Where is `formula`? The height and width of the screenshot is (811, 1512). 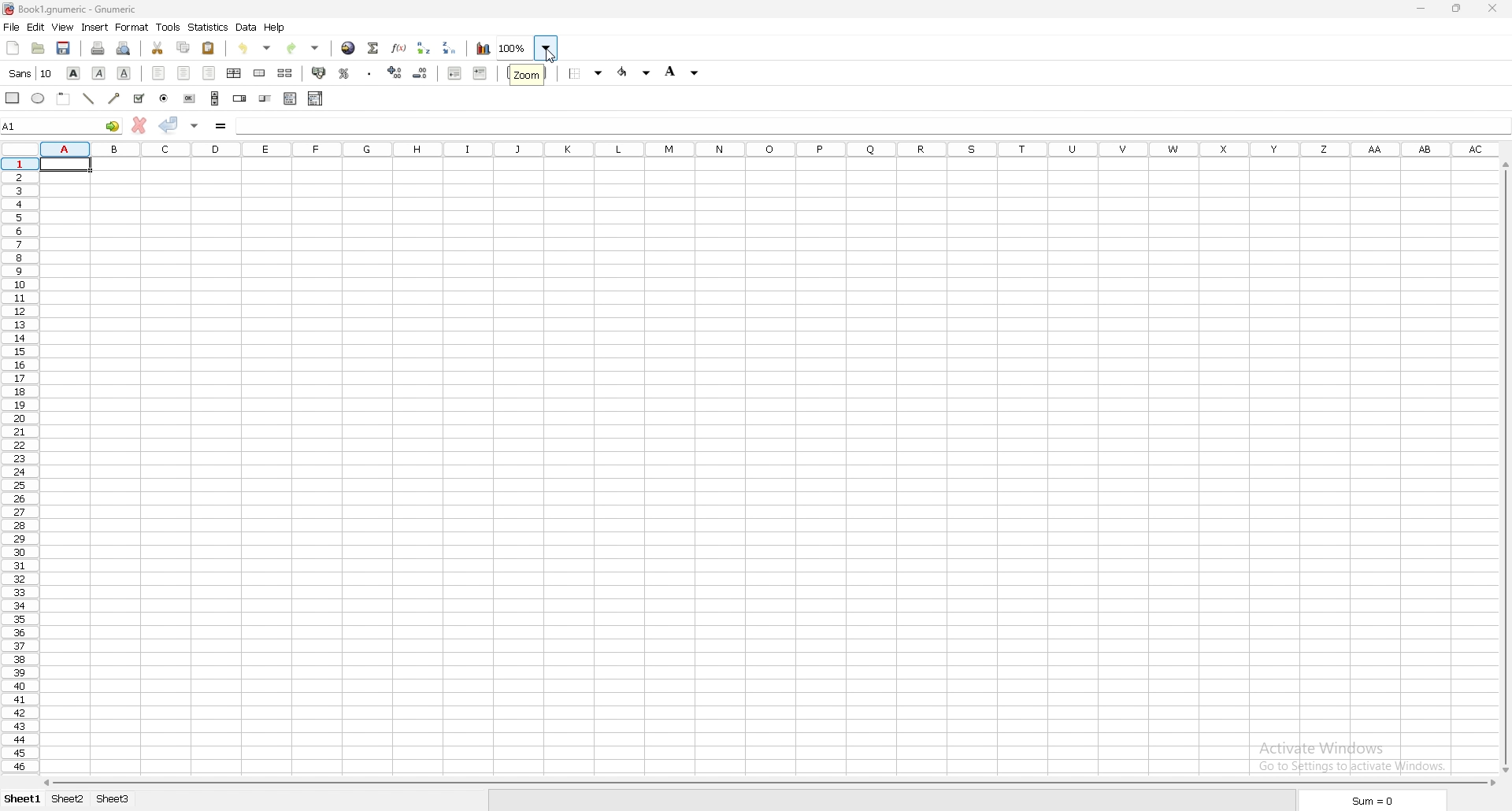 formula is located at coordinates (220, 125).